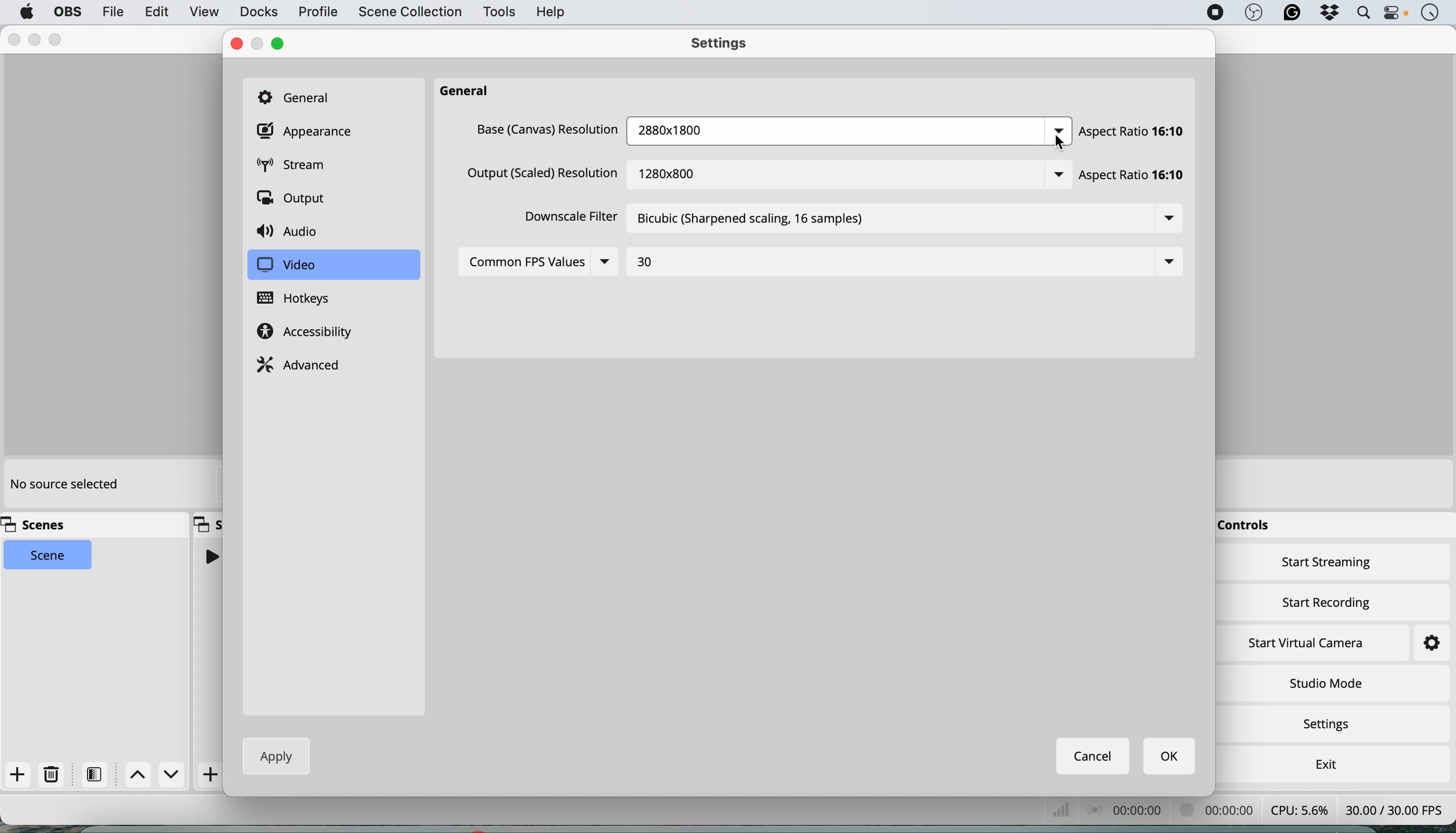 This screenshot has height=833, width=1456. I want to click on accessibility, so click(309, 333).